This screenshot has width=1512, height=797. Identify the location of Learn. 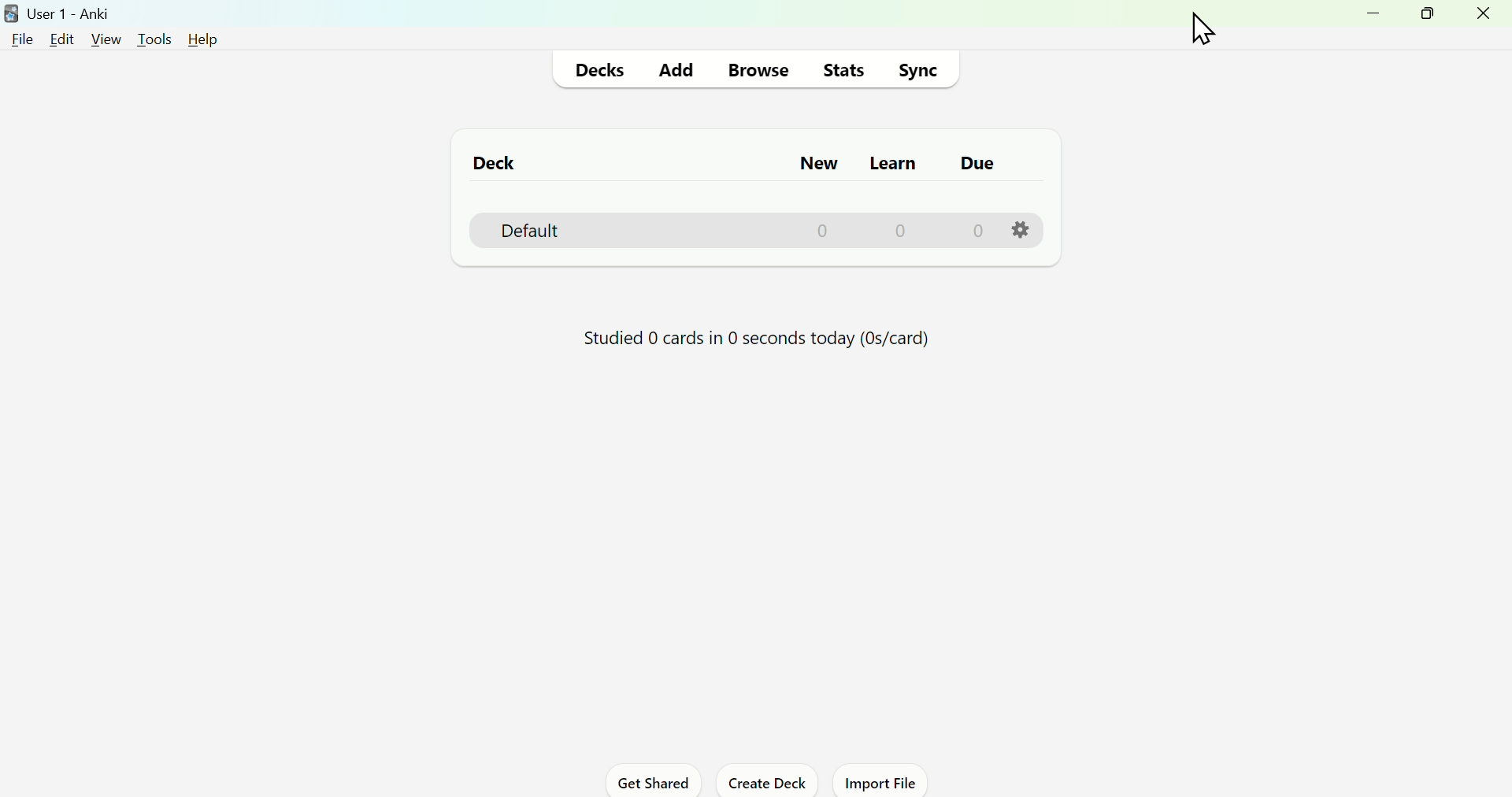
(891, 165).